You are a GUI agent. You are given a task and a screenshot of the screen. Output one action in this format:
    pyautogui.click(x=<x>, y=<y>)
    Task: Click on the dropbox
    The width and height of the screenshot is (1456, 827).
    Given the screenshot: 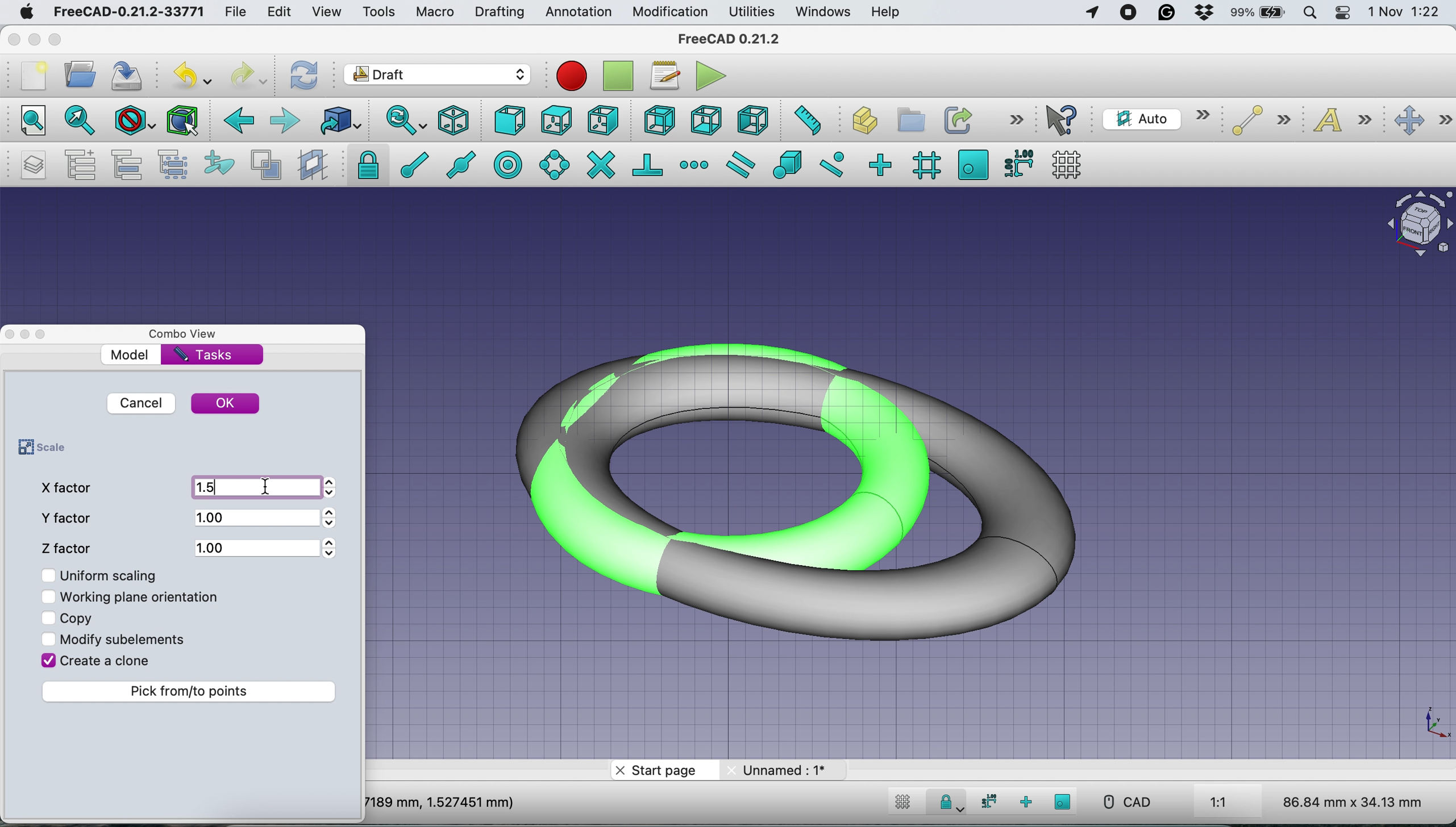 What is the action you would take?
    pyautogui.click(x=1203, y=12)
    